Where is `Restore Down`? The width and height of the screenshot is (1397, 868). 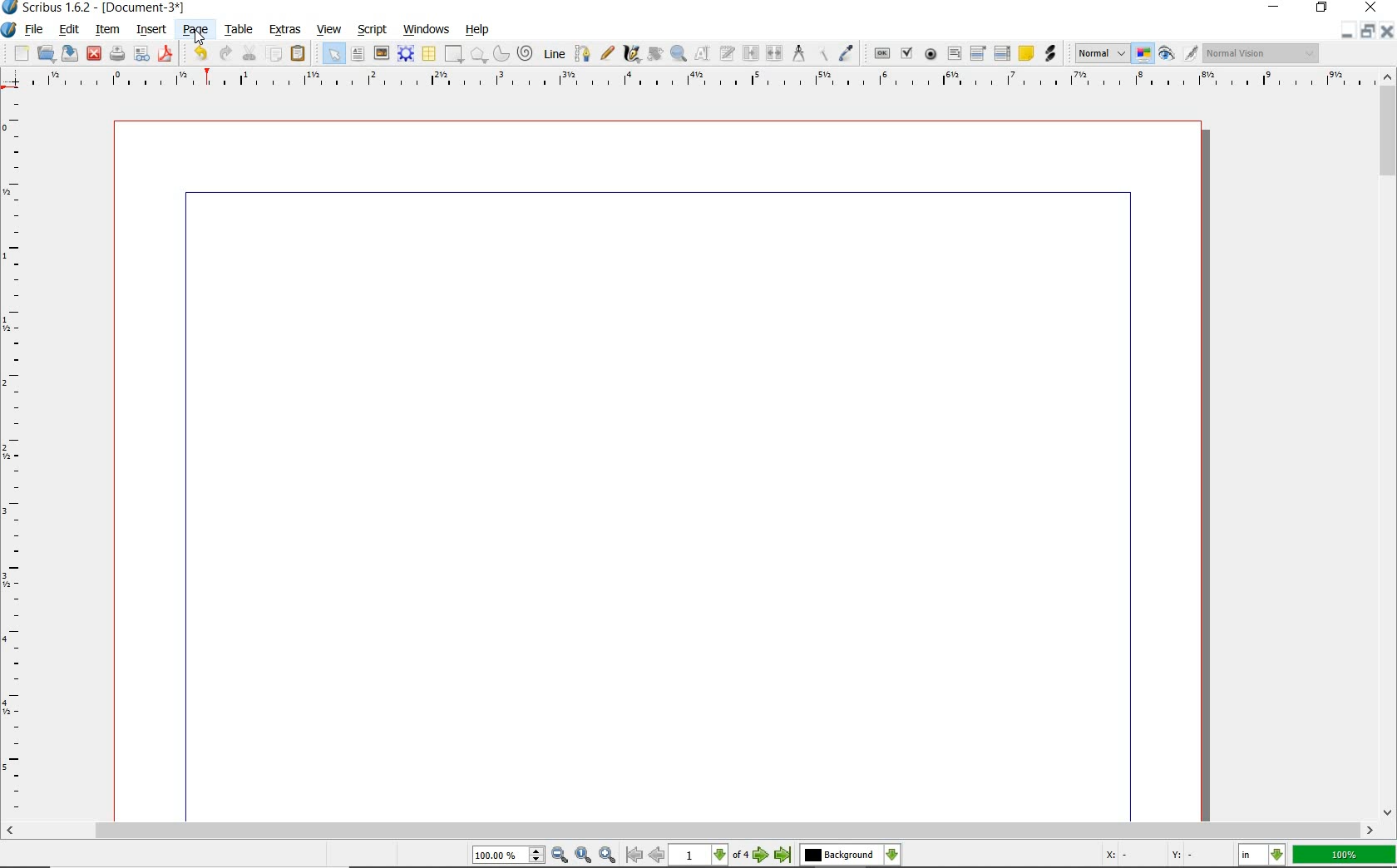
Restore Down is located at coordinates (1346, 33).